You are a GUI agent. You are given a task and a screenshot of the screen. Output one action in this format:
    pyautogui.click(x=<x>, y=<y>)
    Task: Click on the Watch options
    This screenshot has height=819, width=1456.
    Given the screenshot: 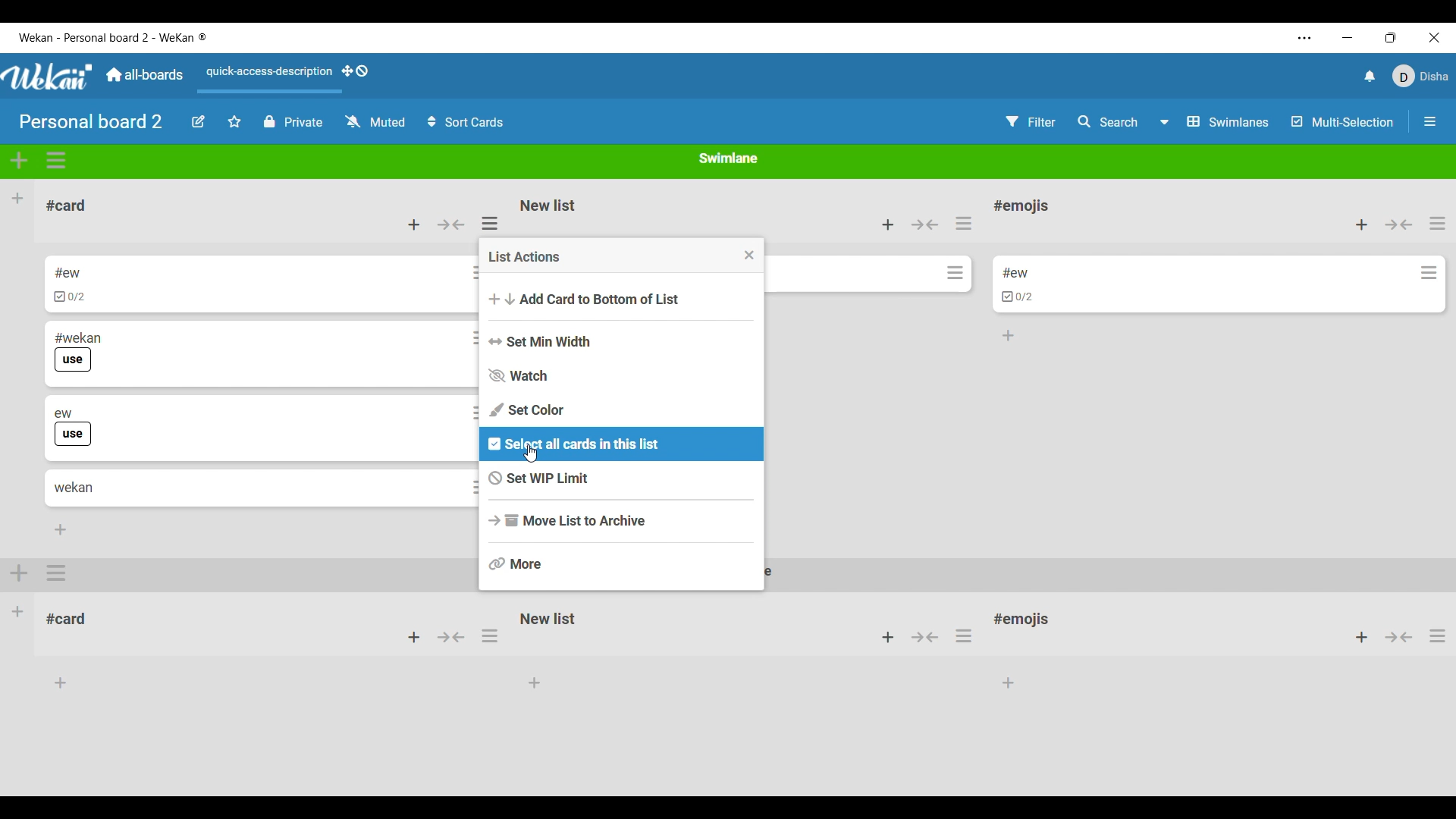 What is the action you would take?
    pyautogui.click(x=375, y=121)
    